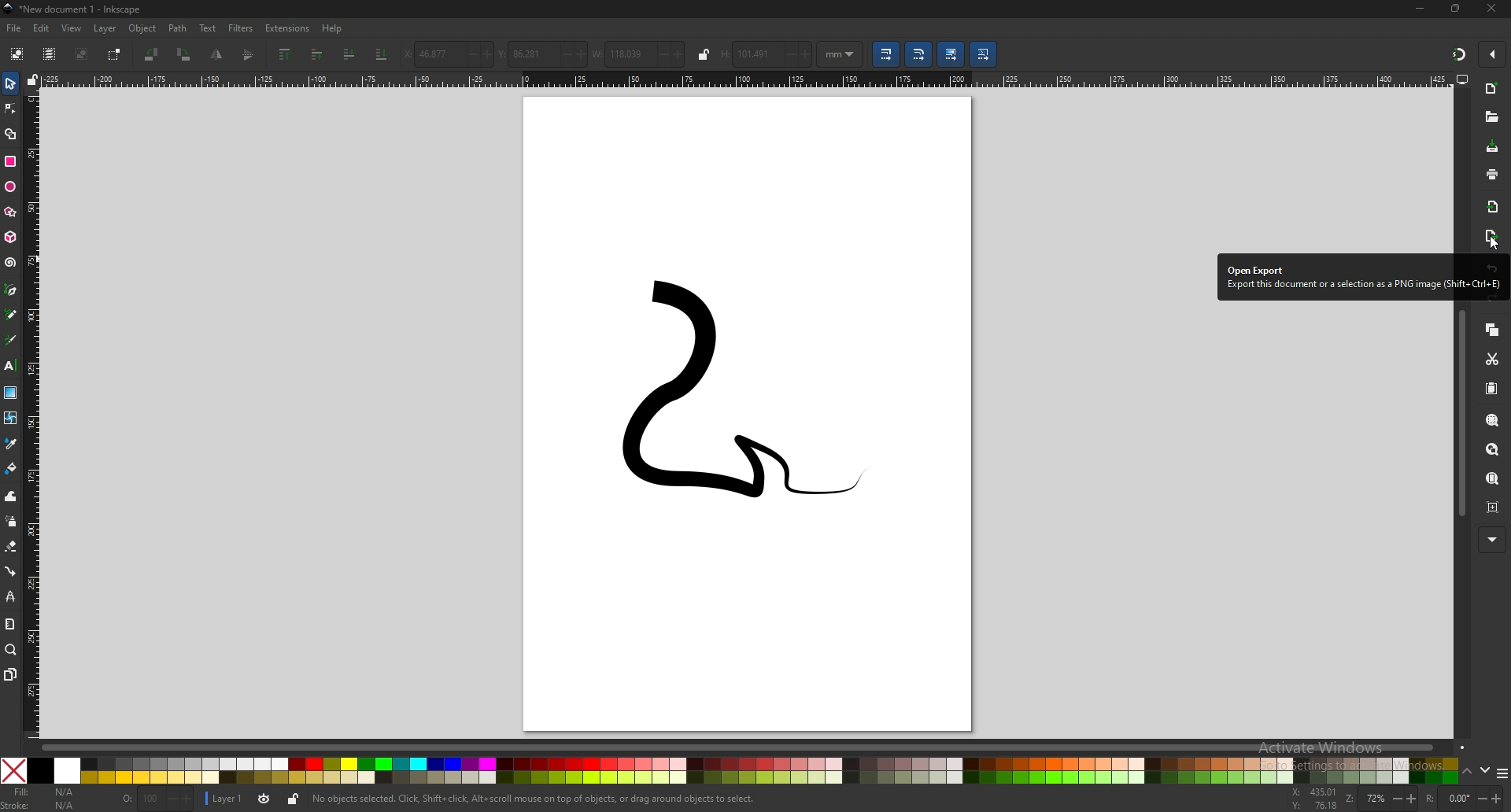 This screenshot has width=1511, height=812. I want to click on raise selection one step, so click(316, 55).